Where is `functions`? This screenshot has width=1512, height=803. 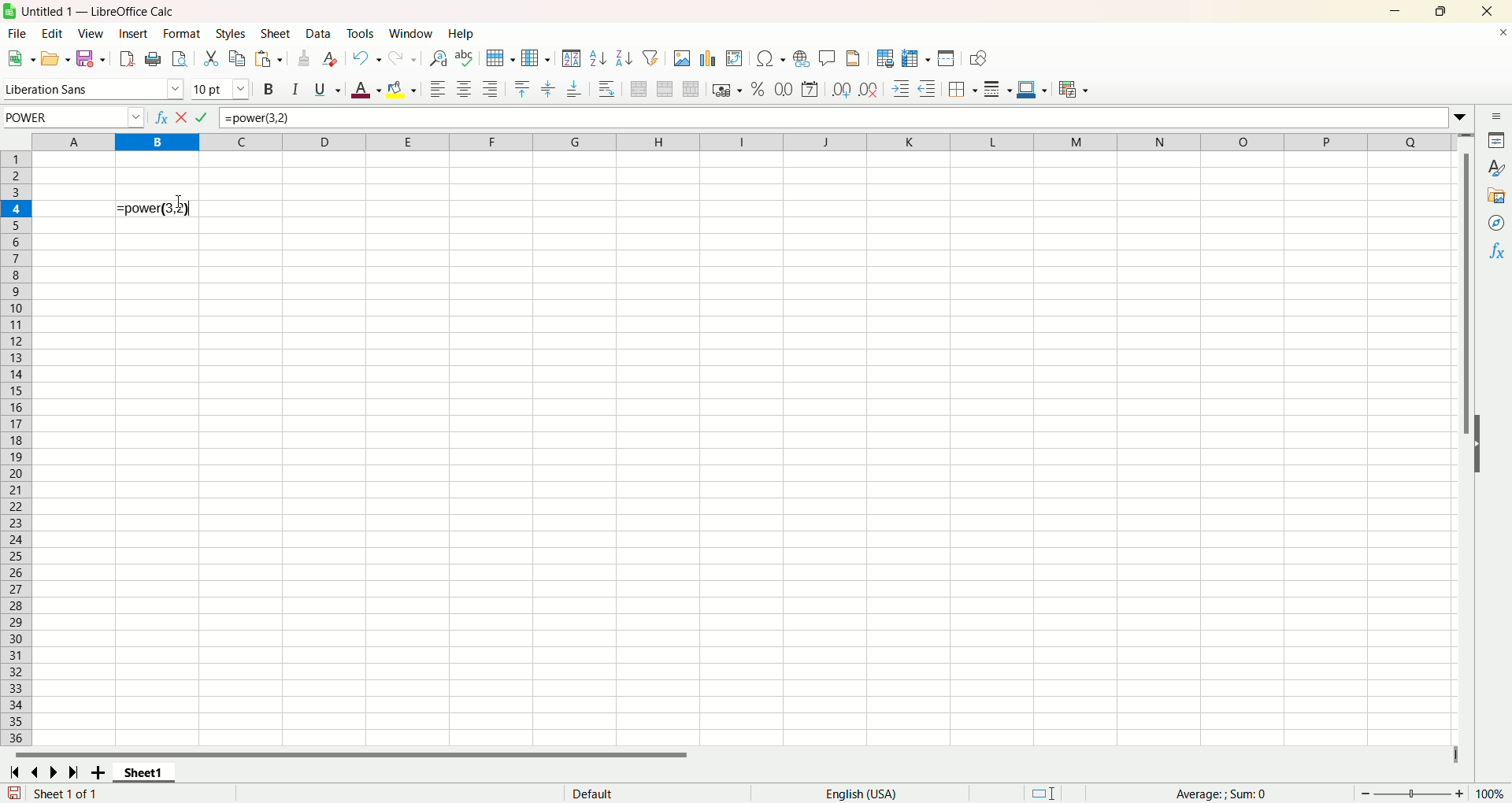
functions is located at coordinates (1230, 794).